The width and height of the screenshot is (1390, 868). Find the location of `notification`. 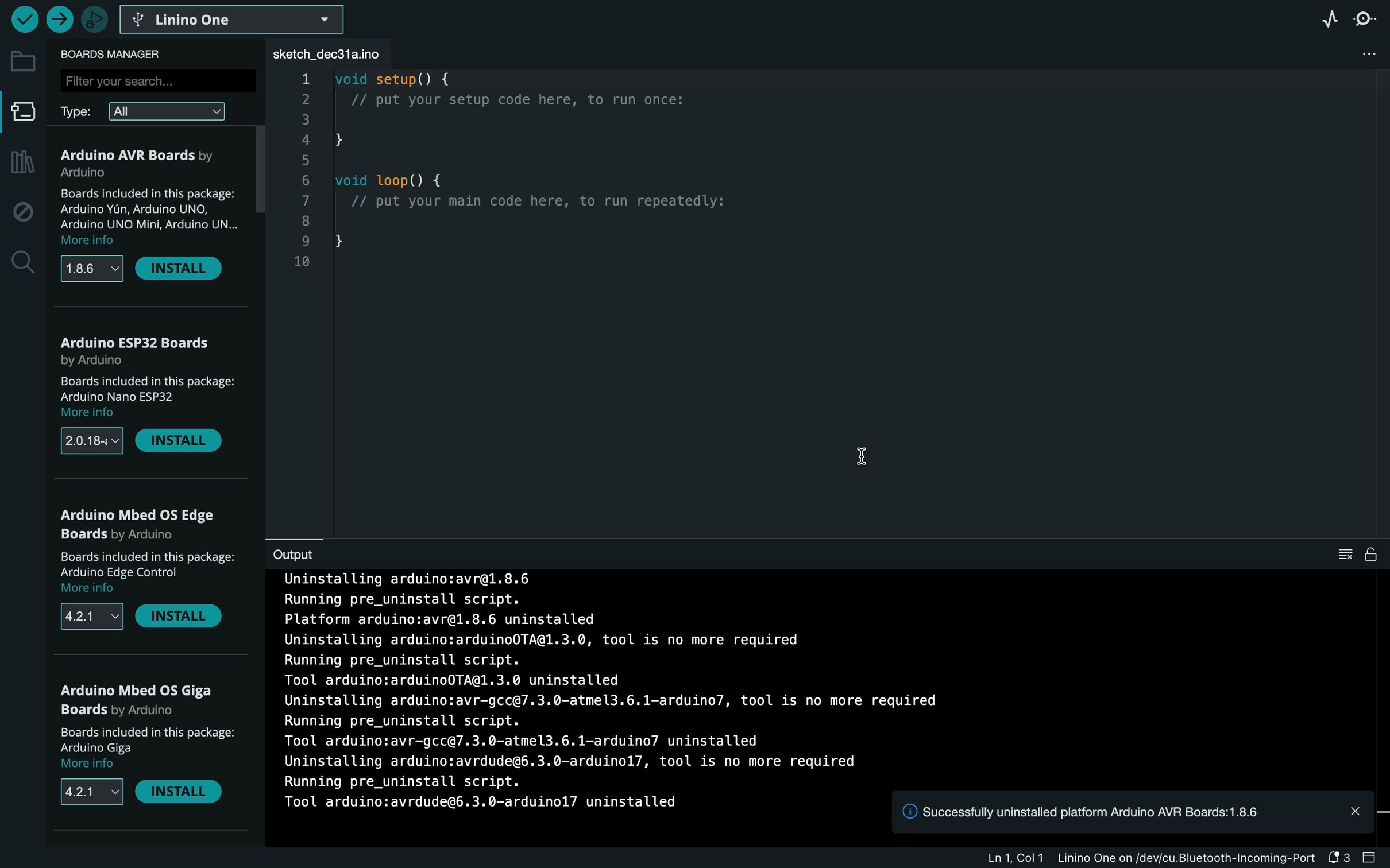

notification is located at coordinates (1139, 814).